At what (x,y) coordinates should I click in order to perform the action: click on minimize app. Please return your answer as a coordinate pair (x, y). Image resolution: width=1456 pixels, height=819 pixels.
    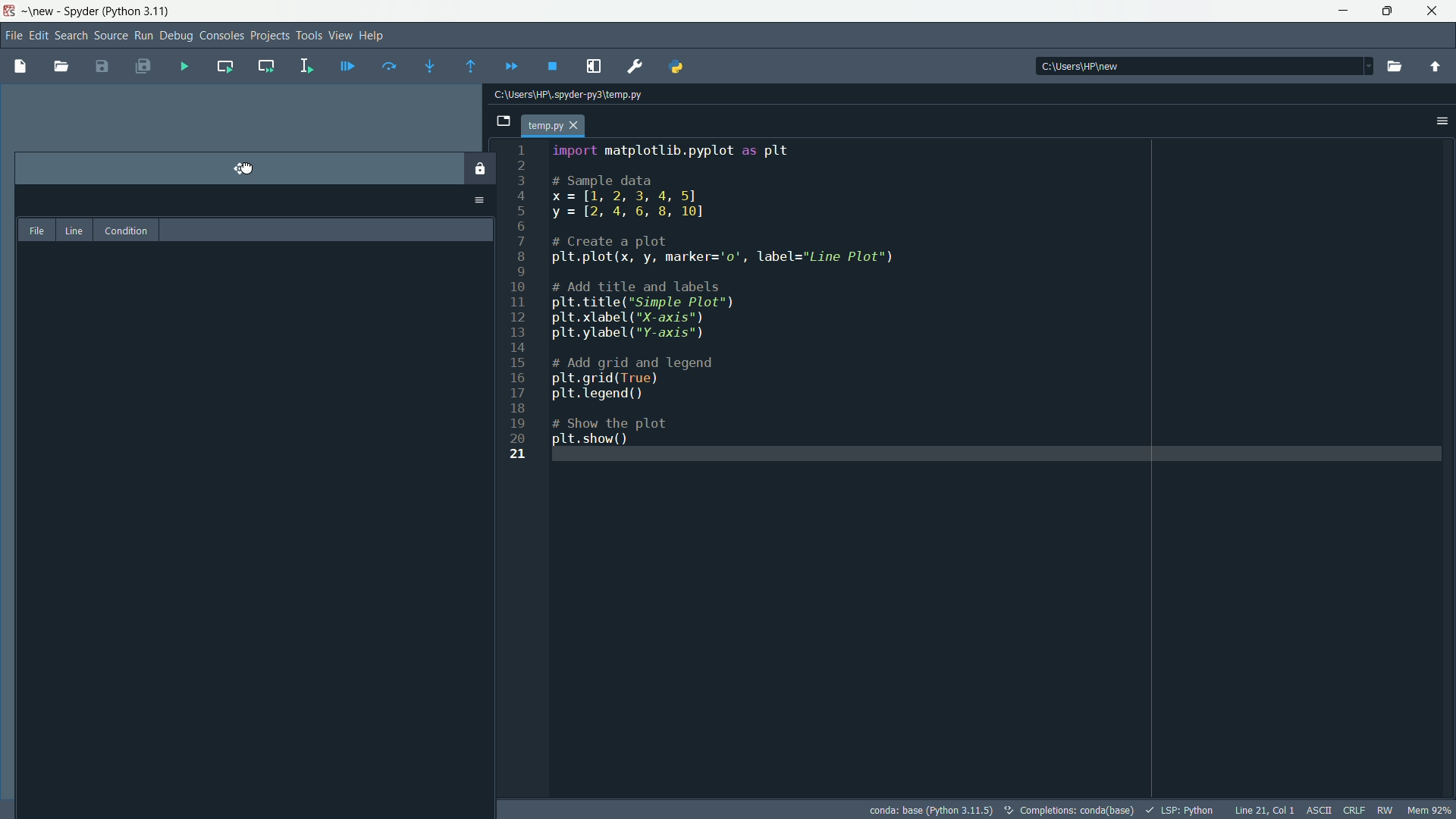
    Looking at the image, I should click on (1341, 11).